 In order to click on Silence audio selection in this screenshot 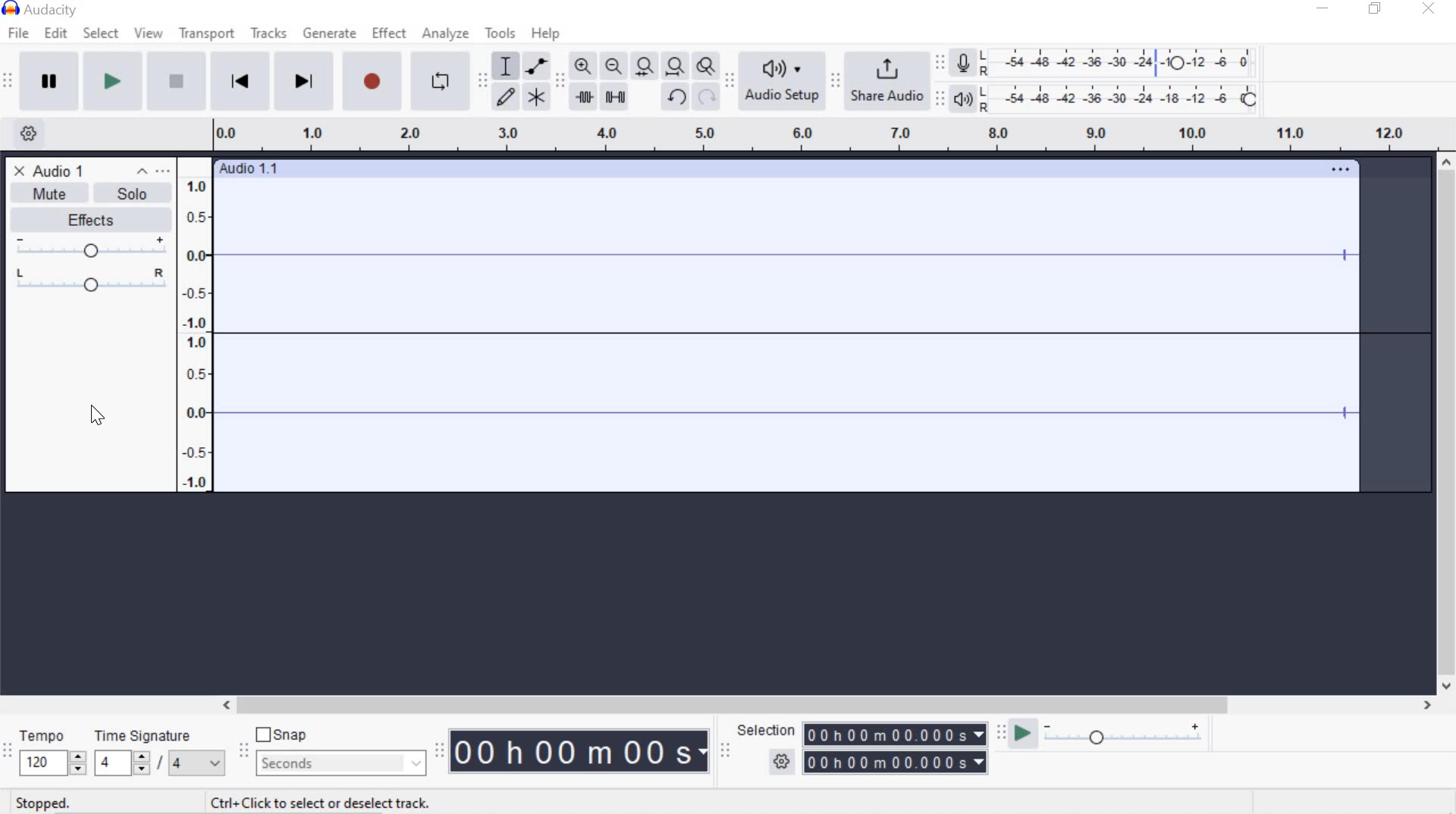, I will do `click(615, 96)`.